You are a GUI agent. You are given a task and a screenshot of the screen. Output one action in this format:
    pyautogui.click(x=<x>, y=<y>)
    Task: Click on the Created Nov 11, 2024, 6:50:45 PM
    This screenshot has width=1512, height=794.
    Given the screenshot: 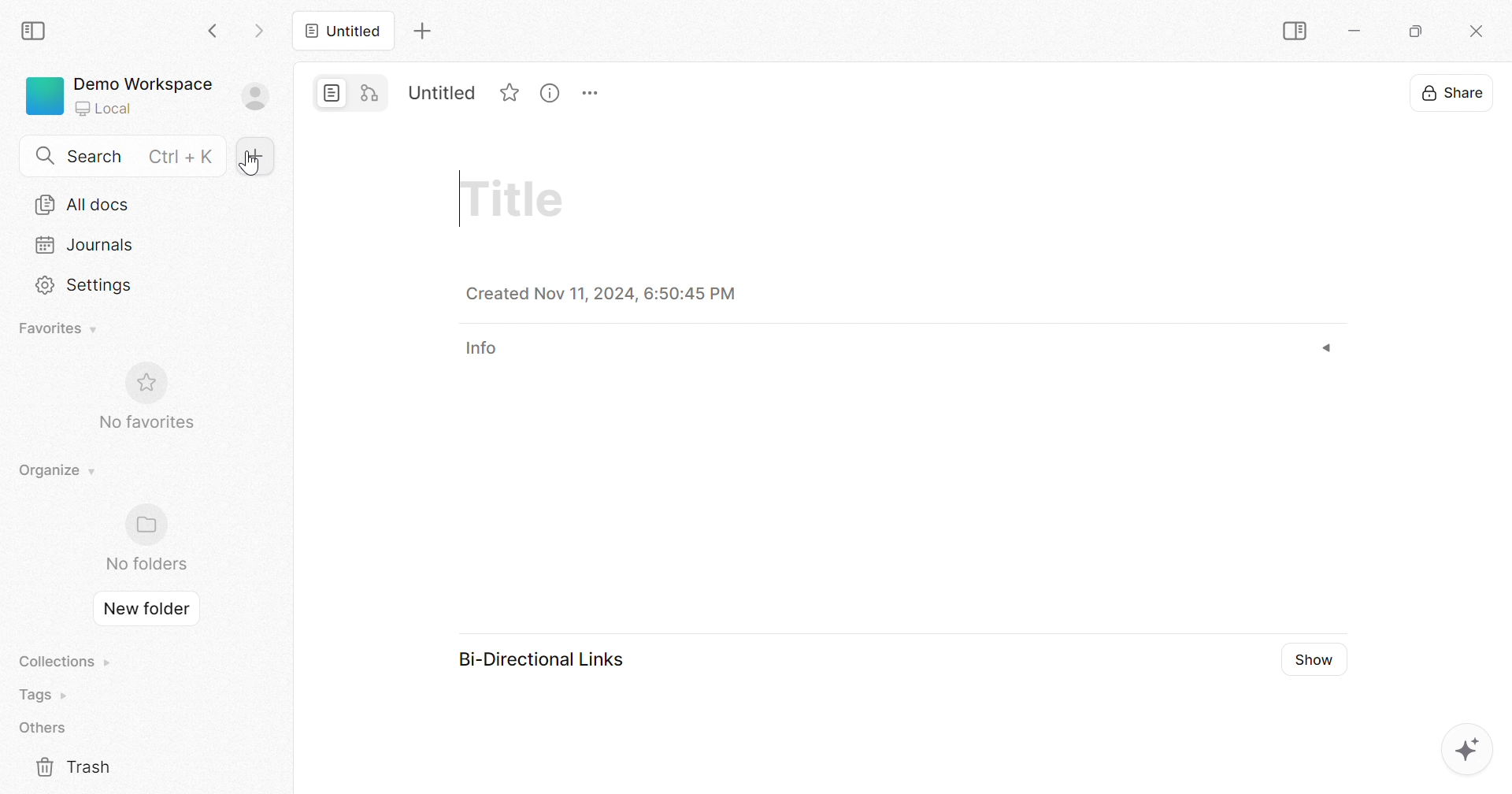 What is the action you would take?
    pyautogui.click(x=601, y=293)
    